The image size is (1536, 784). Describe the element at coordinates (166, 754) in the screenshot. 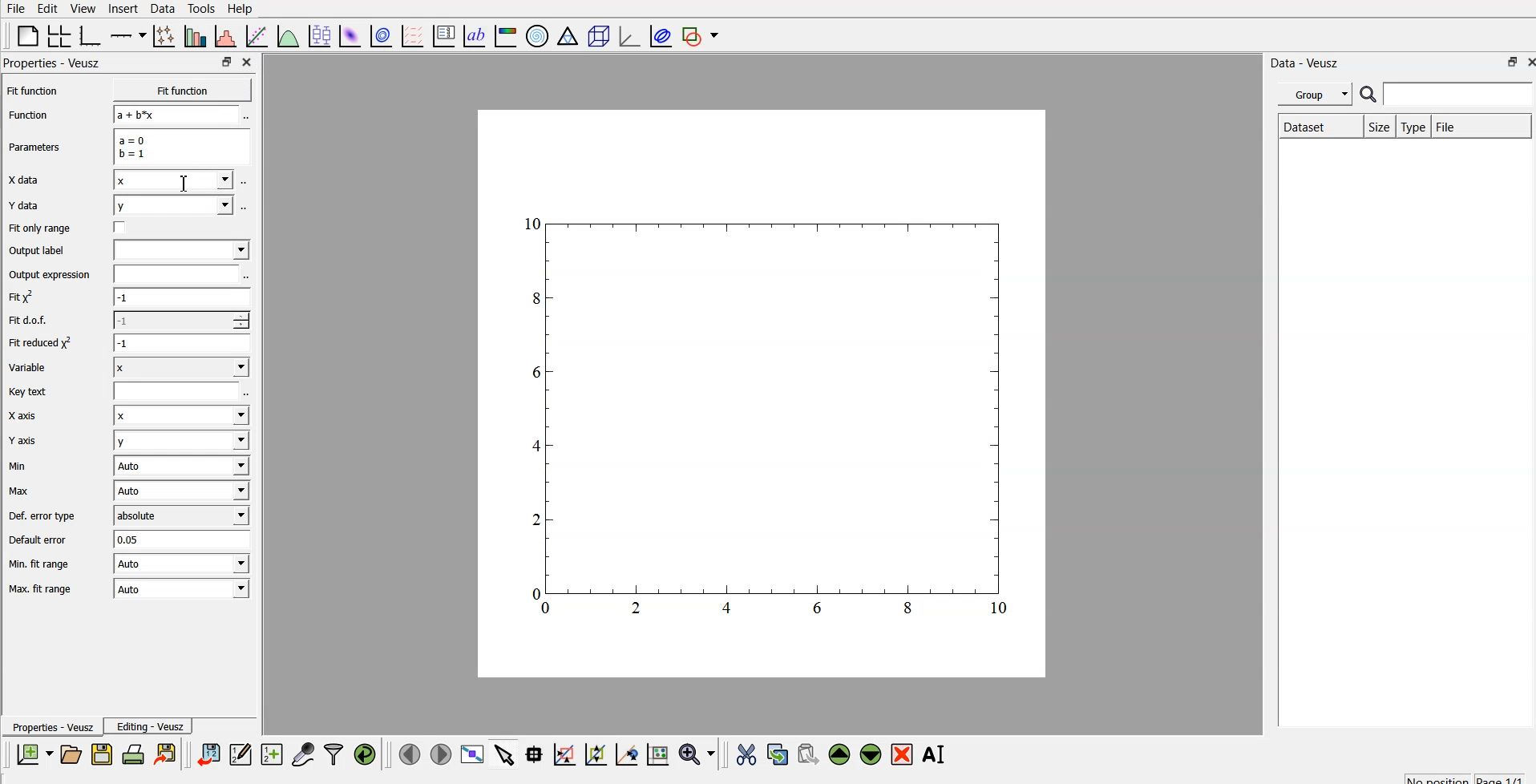

I see `print the document` at that location.